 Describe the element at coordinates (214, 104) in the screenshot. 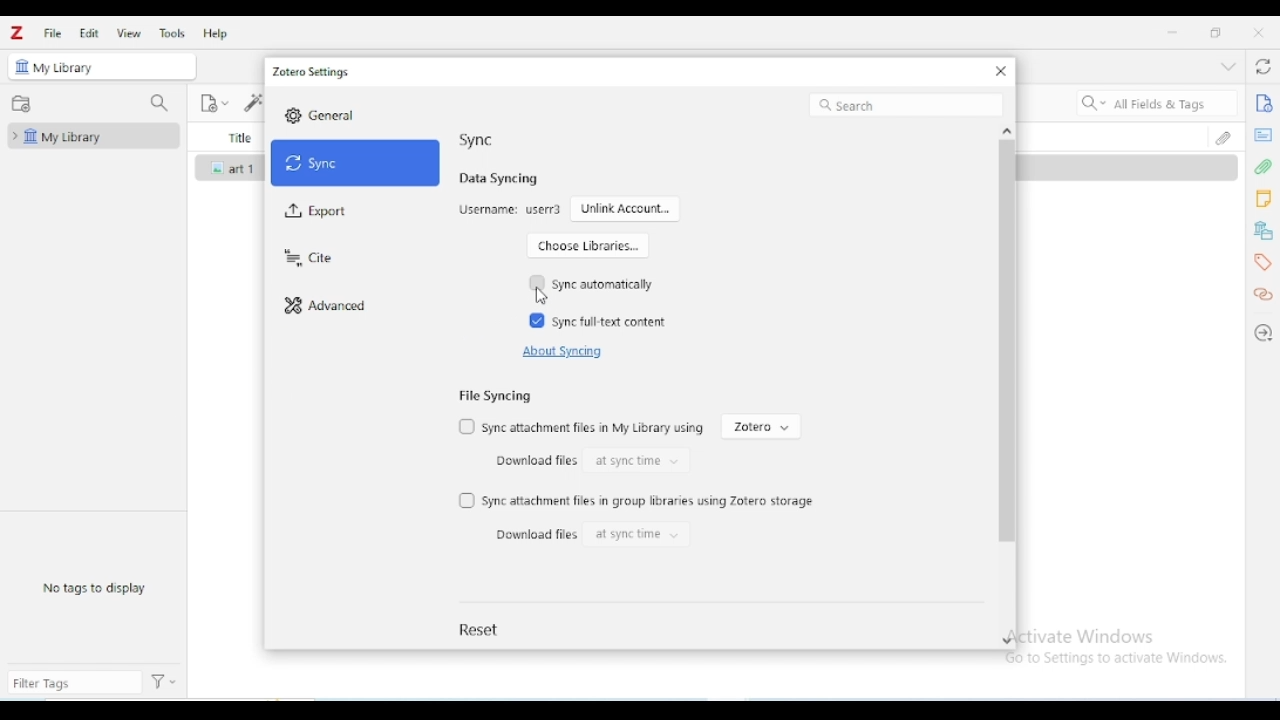

I see `new item` at that location.